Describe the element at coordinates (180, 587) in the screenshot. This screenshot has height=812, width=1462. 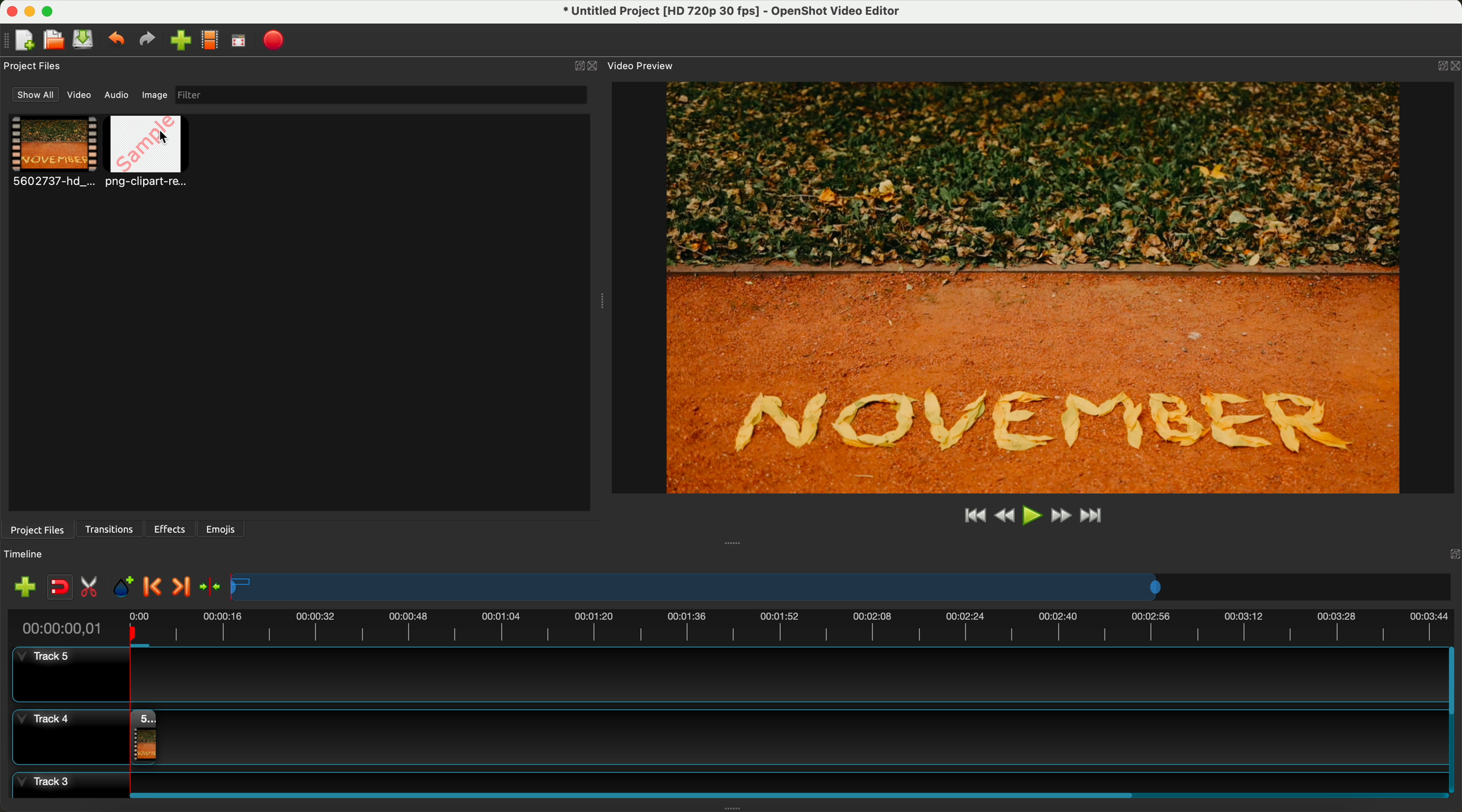
I see `next marker` at that location.